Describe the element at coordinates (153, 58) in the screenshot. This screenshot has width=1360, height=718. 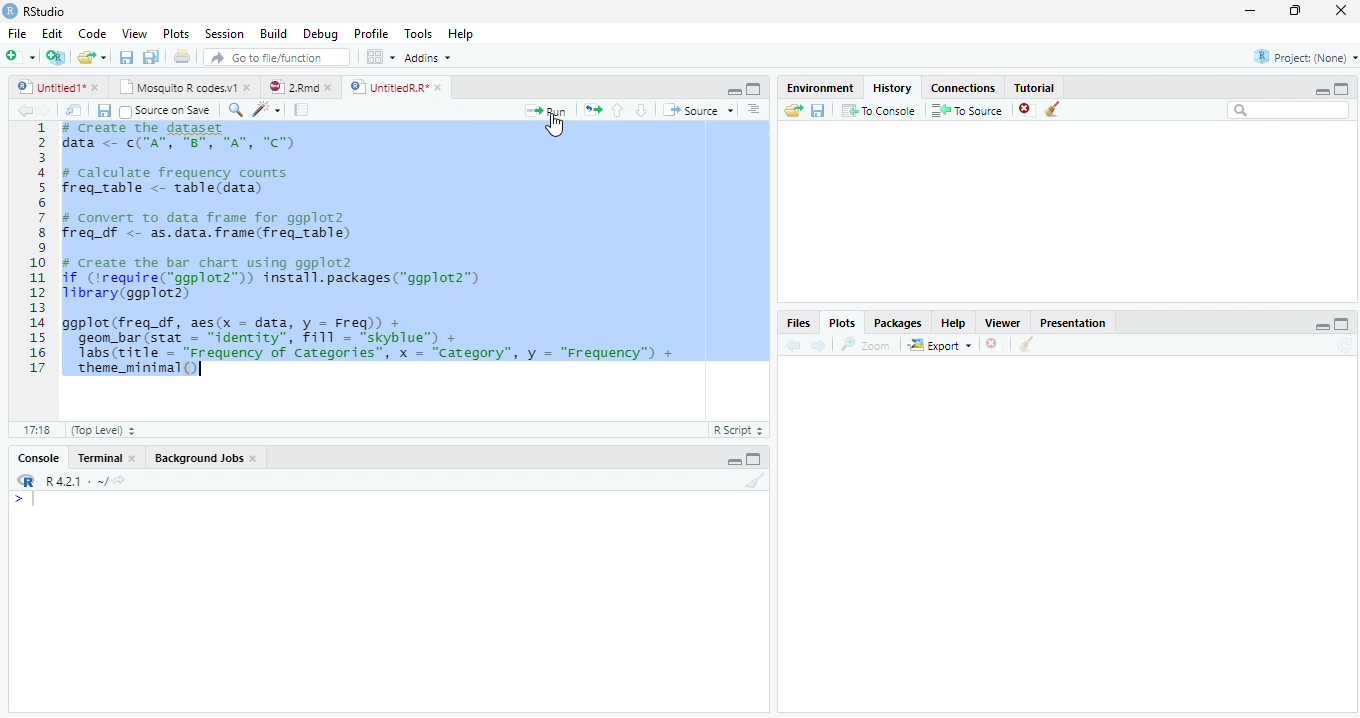
I see `Save all` at that location.